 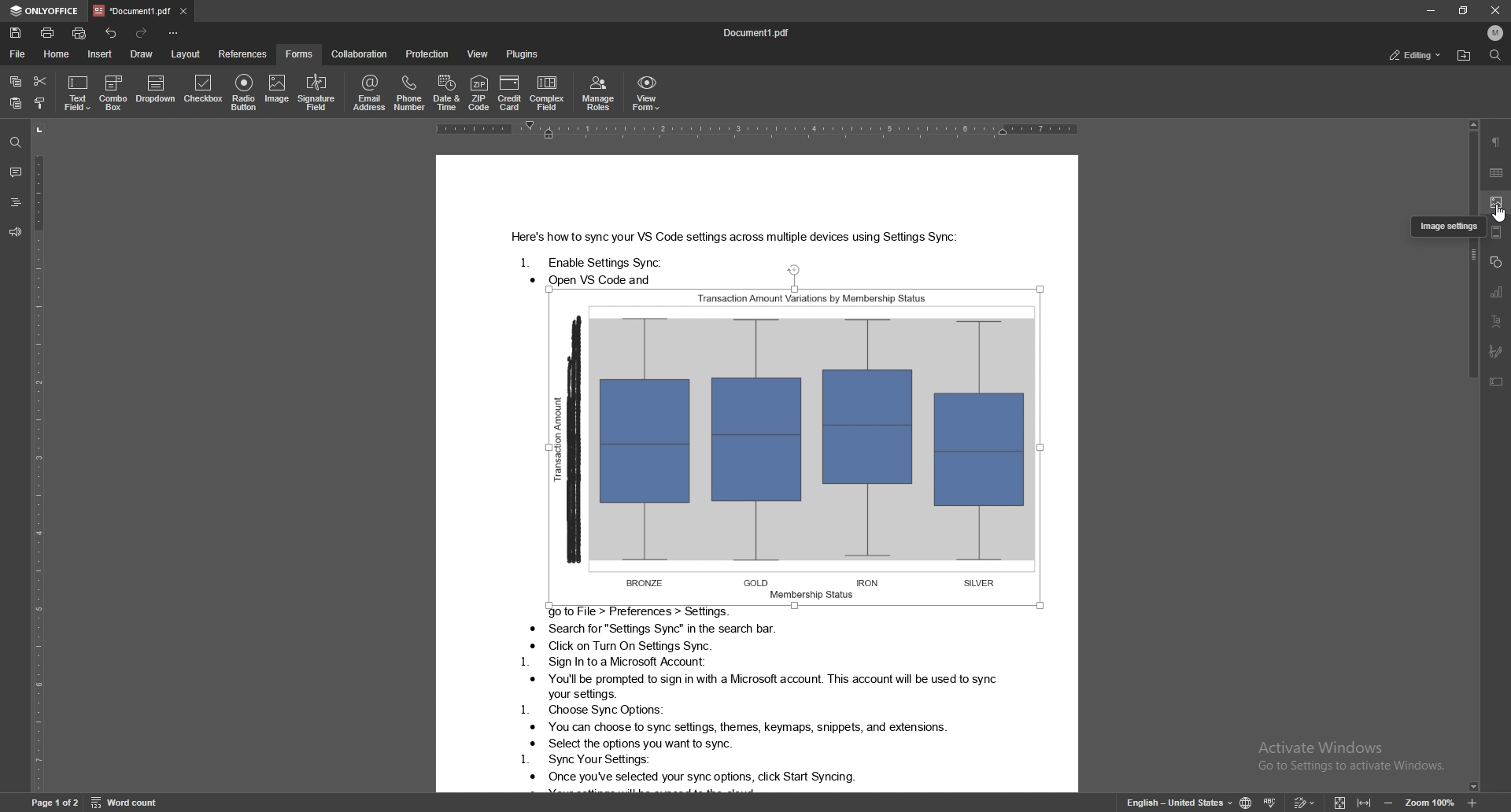 I want to click on protection, so click(x=427, y=53).